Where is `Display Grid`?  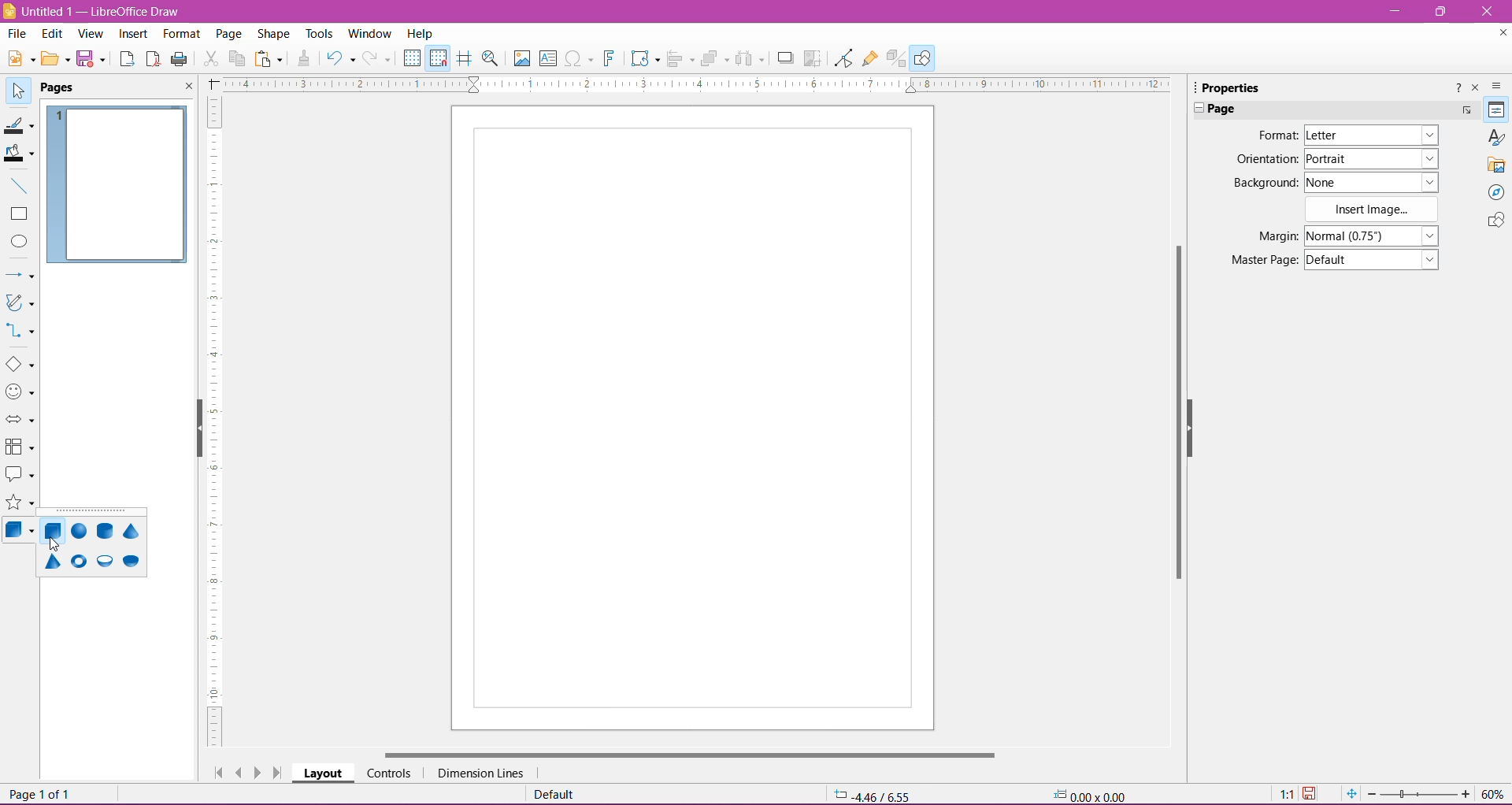 Display Grid is located at coordinates (412, 58).